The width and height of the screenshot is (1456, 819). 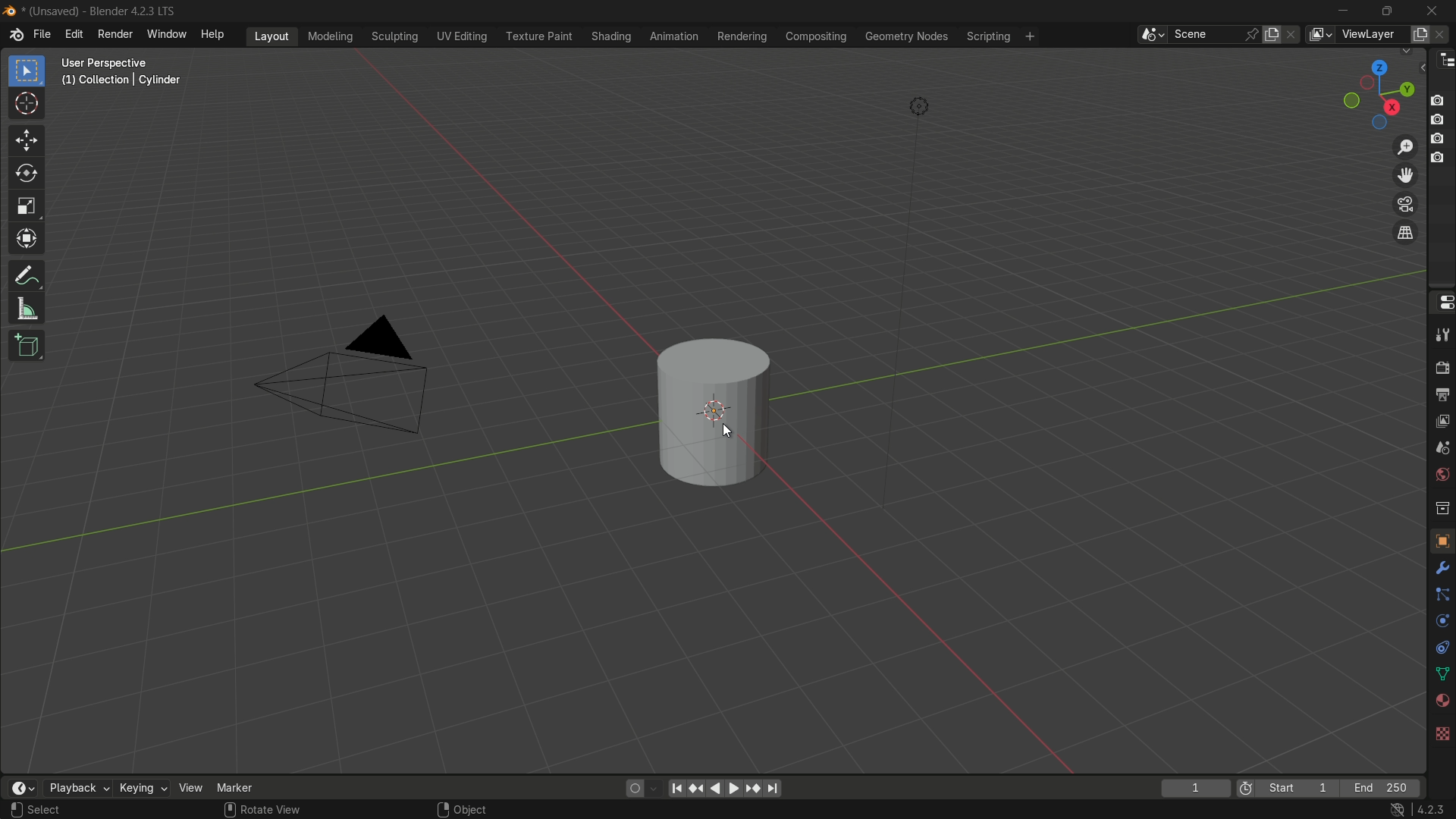 What do you see at coordinates (75, 36) in the screenshot?
I see `edit menu` at bounding box center [75, 36].